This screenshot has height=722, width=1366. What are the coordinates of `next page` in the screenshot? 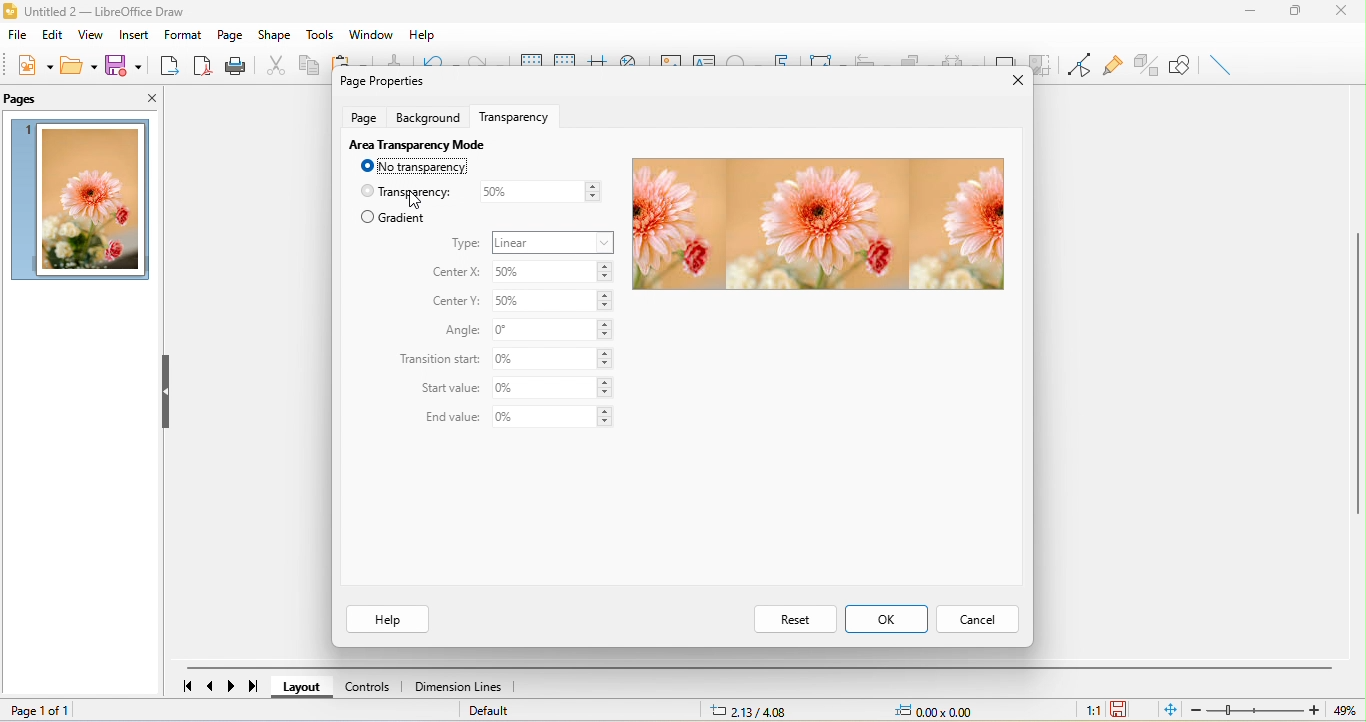 It's located at (229, 686).